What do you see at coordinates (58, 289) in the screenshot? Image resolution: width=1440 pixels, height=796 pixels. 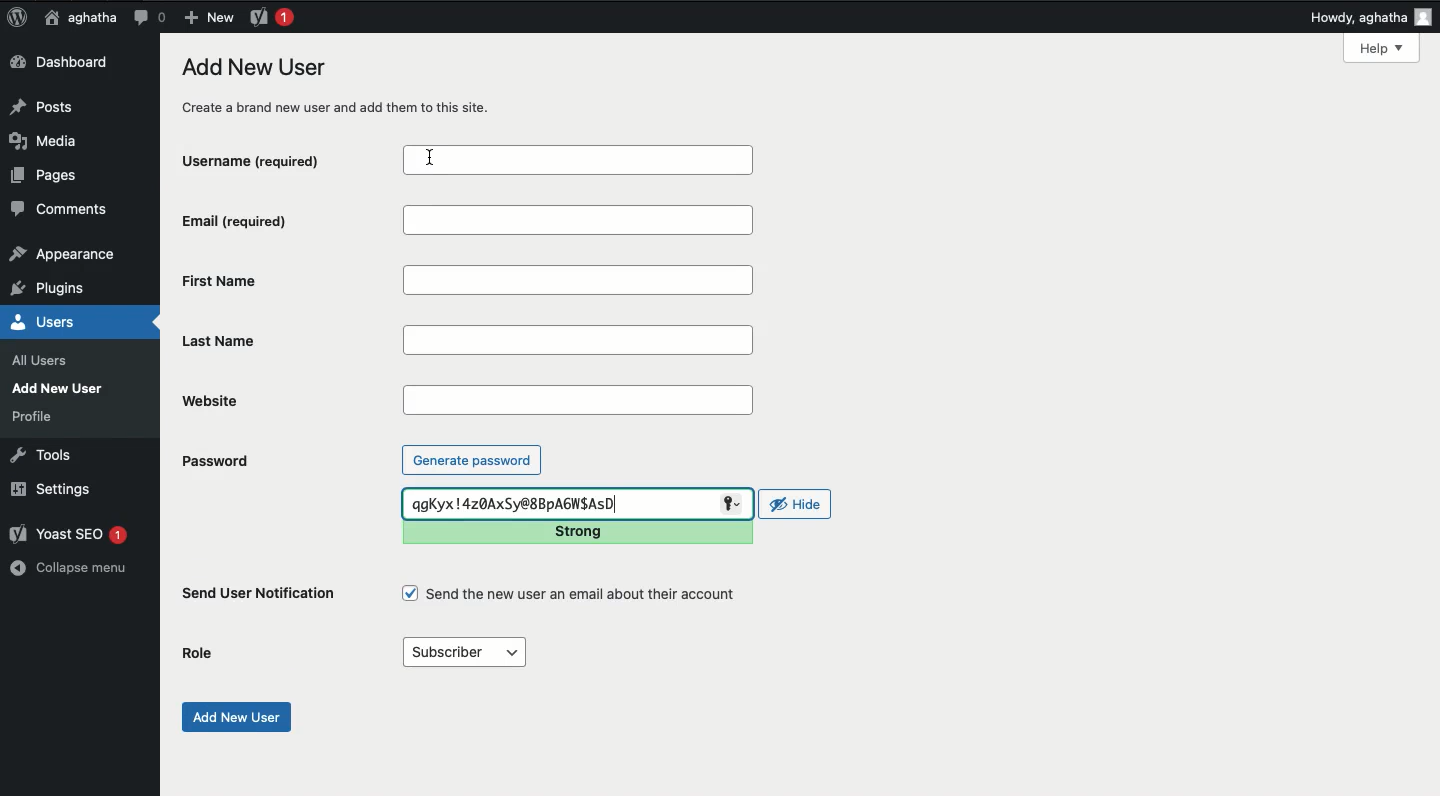 I see `plugins` at bounding box center [58, 289].